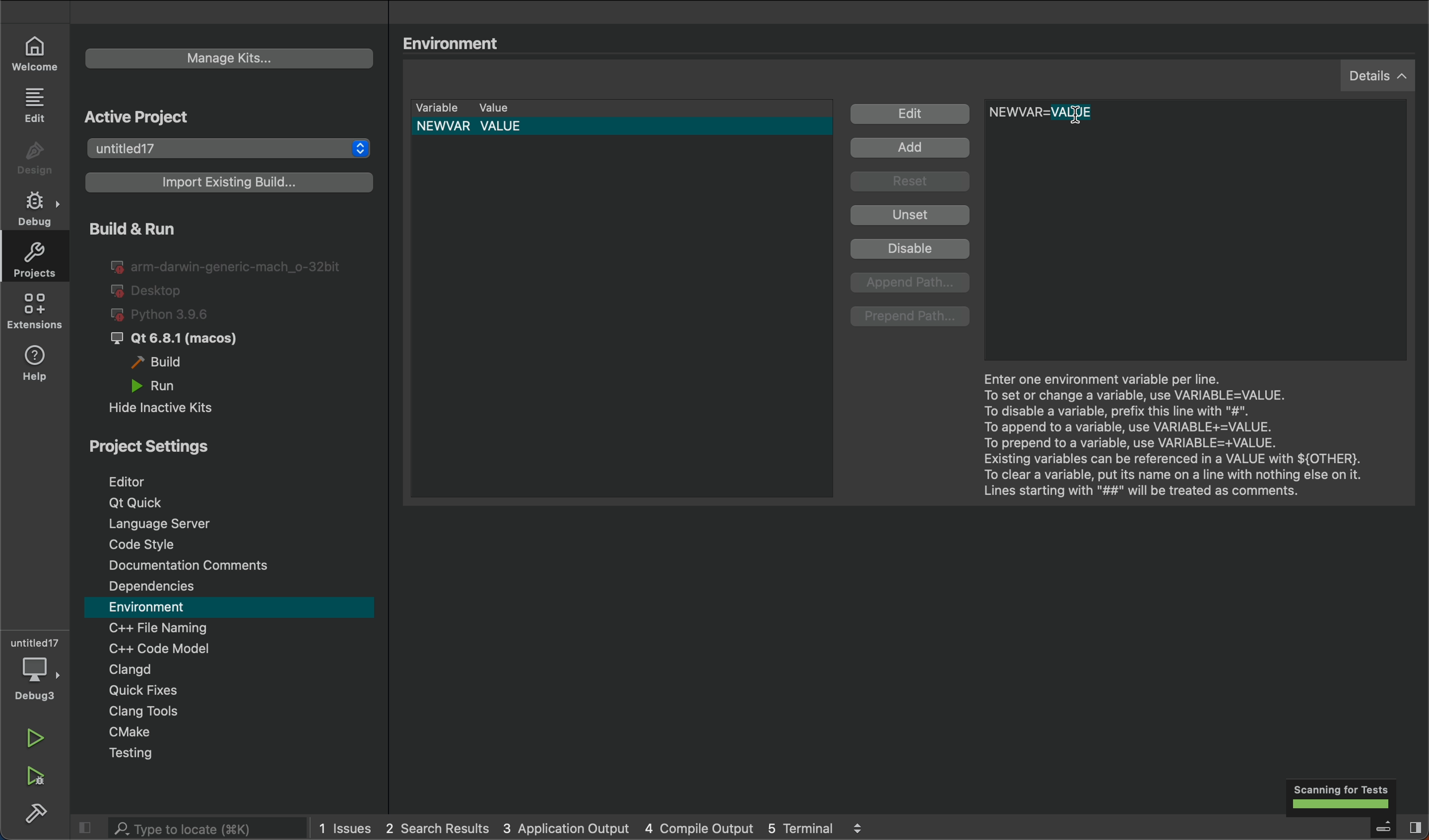 This screenshot has width=1429, height=840. I want to click on desktop, so click(150, 291).